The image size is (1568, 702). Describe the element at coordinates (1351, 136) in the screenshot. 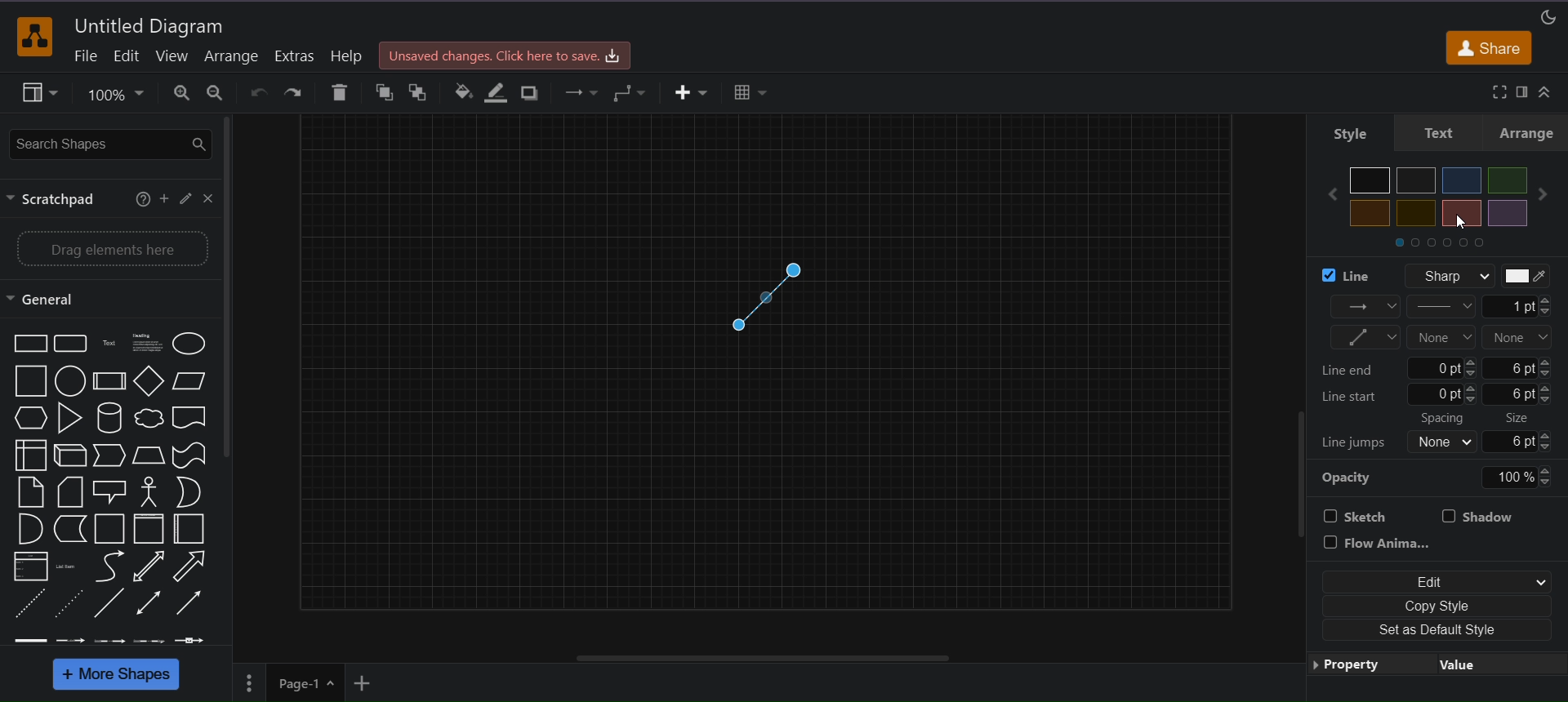

I see `style` at that location.